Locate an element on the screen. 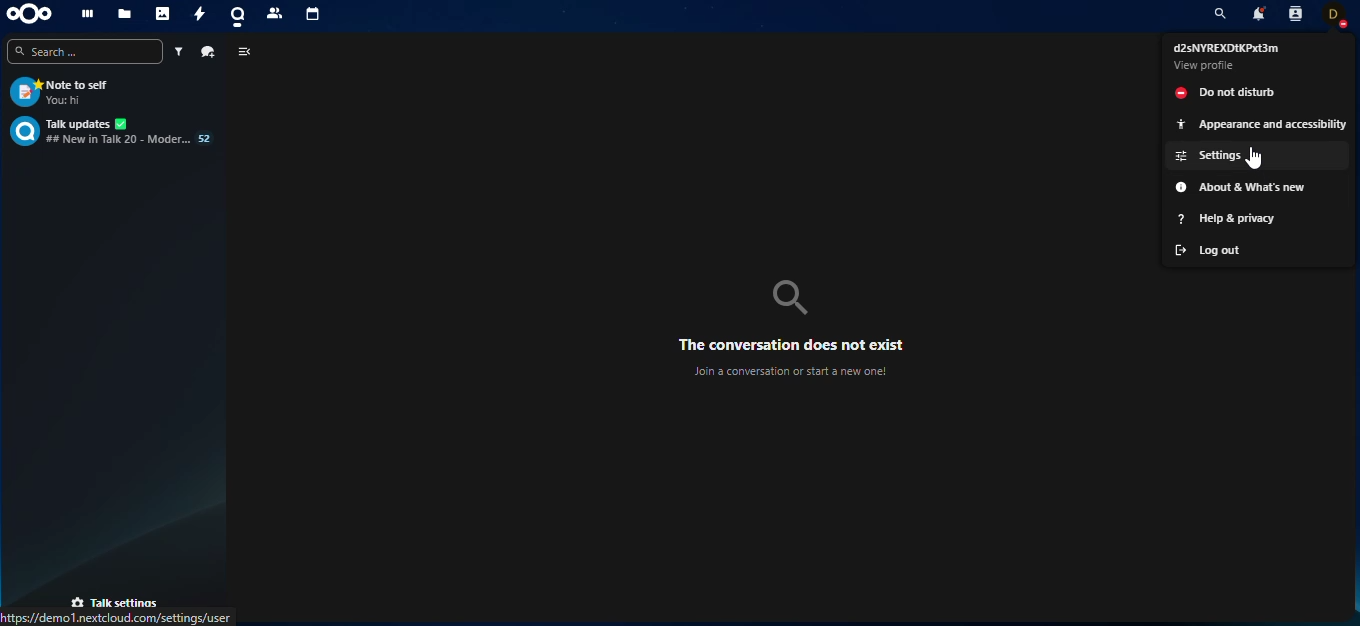 This screenshot has width=1360, height=626. Search icon is located at coordinates (790, 298).